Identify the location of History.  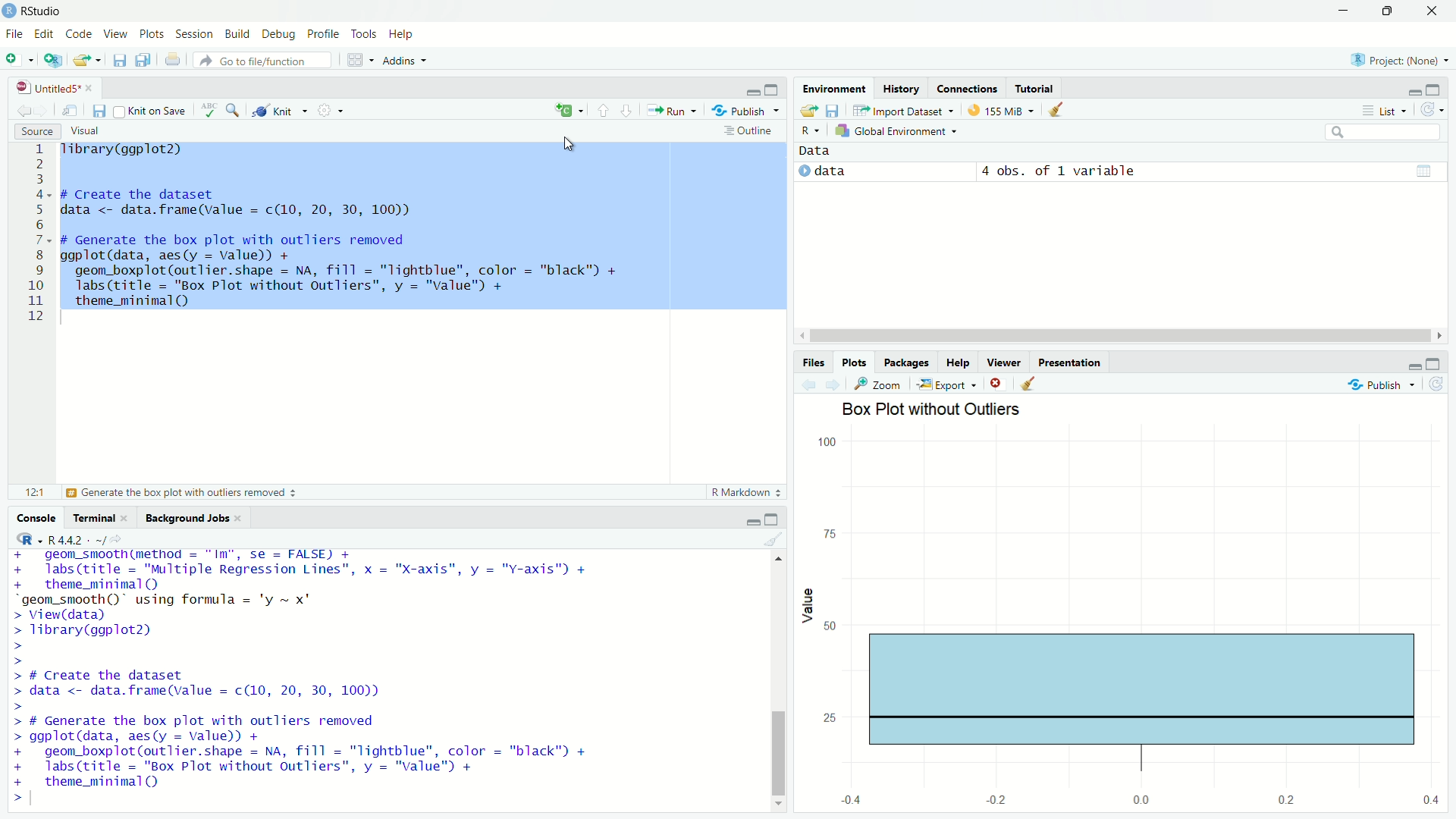
(903, 86).